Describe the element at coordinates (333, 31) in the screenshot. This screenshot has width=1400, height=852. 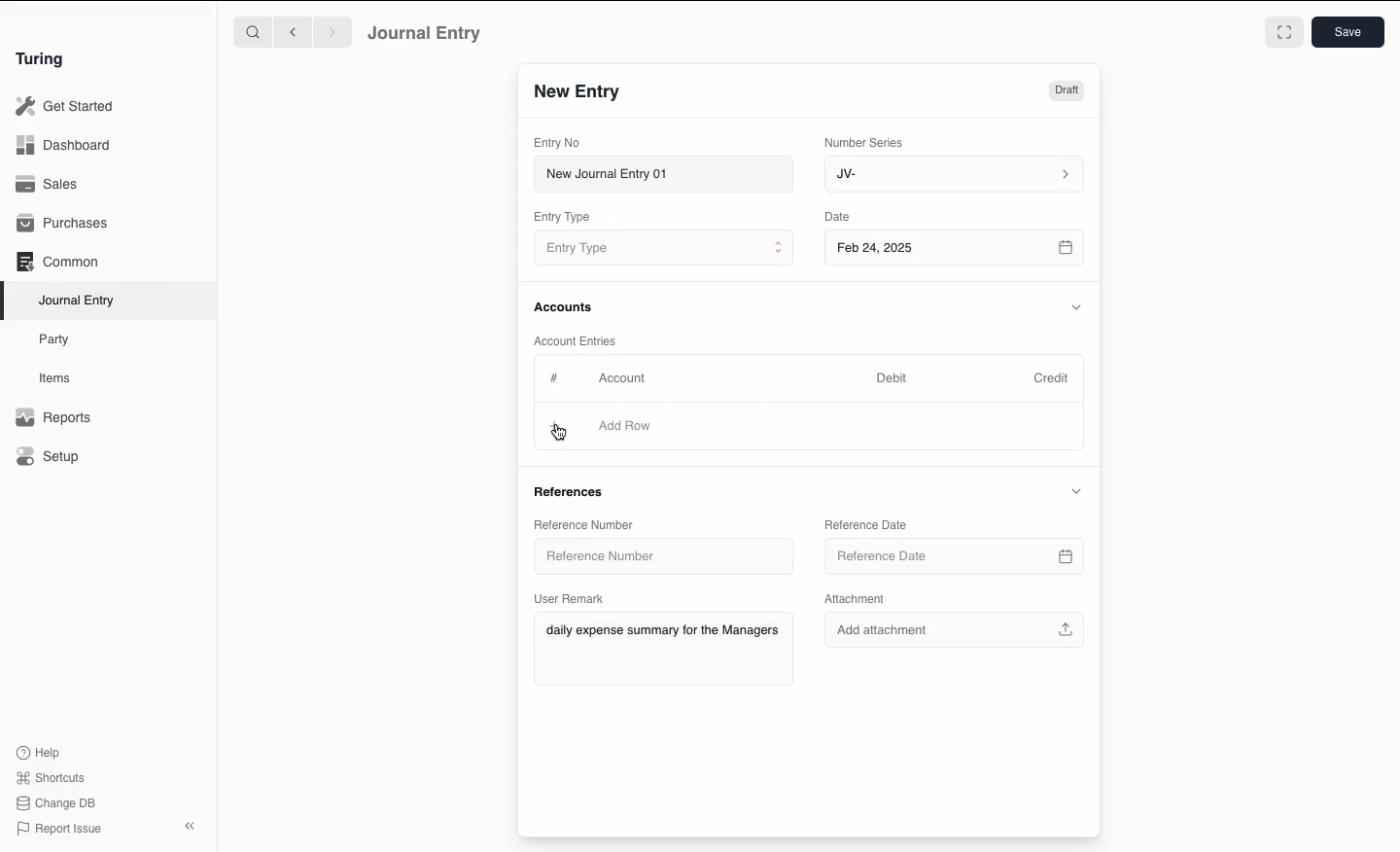
I see `Forward` at that location.